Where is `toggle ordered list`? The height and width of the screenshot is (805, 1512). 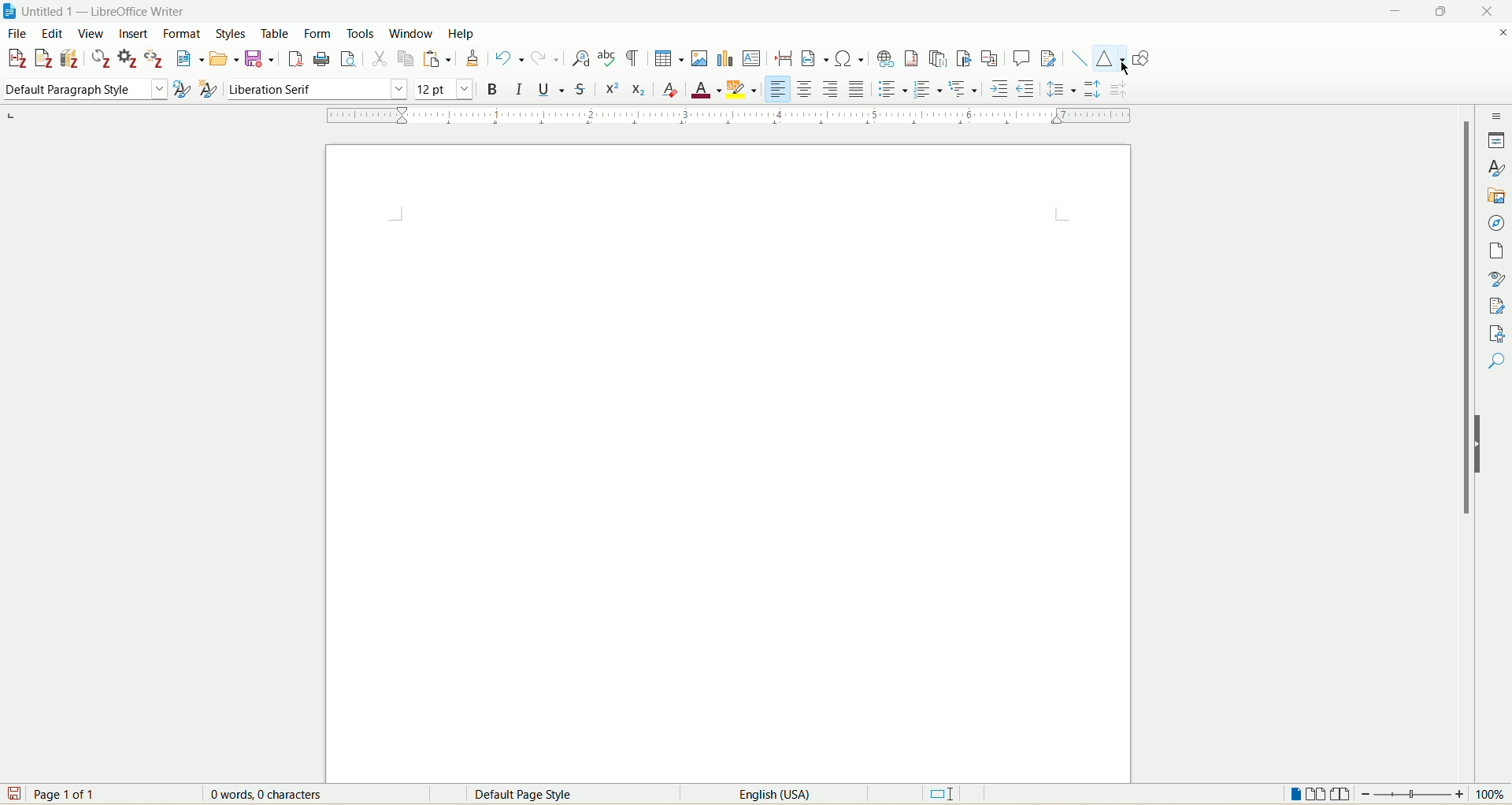 toggle ordered list is located at coordinates (927, 87).